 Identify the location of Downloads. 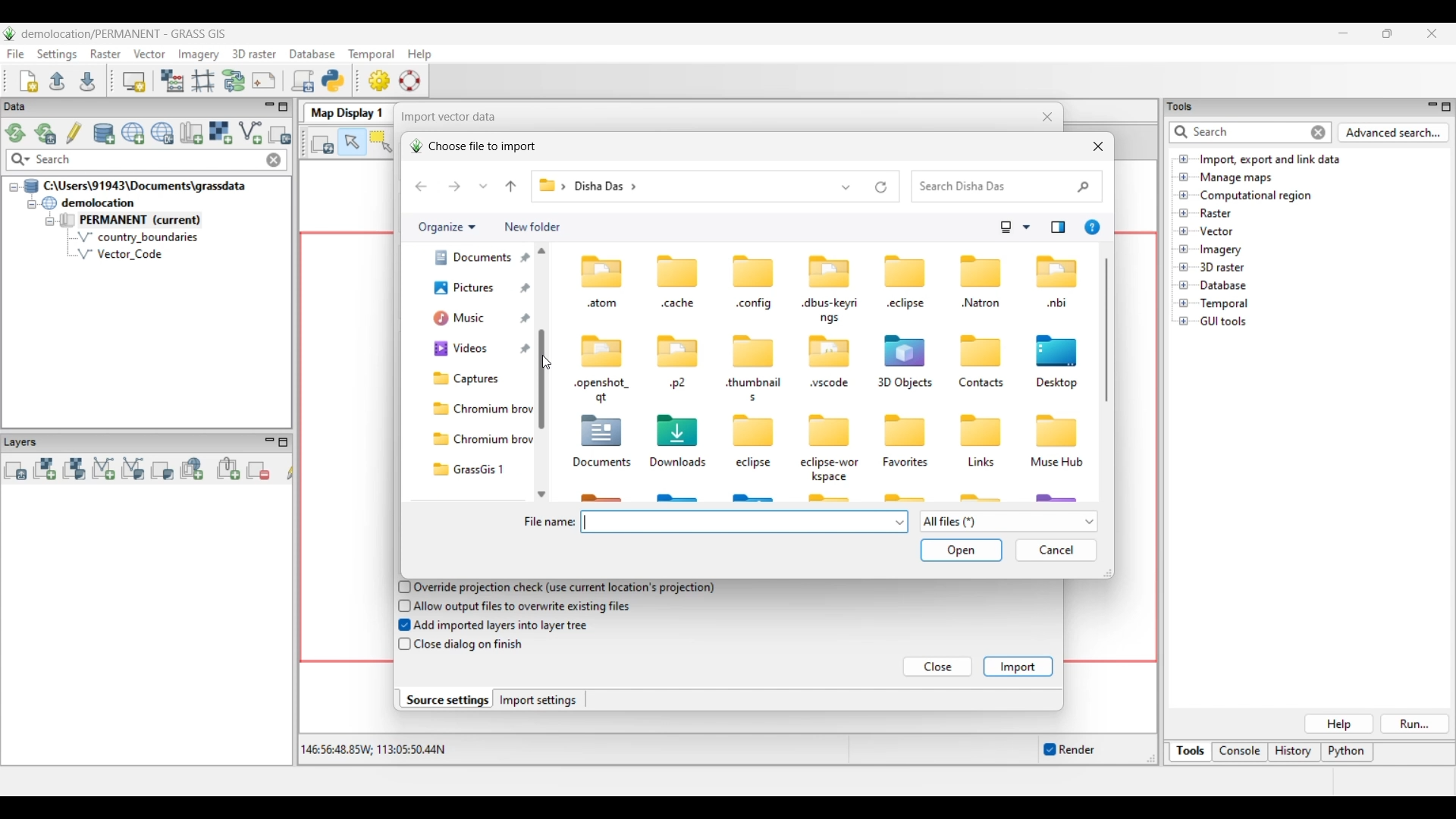
(680, 463).